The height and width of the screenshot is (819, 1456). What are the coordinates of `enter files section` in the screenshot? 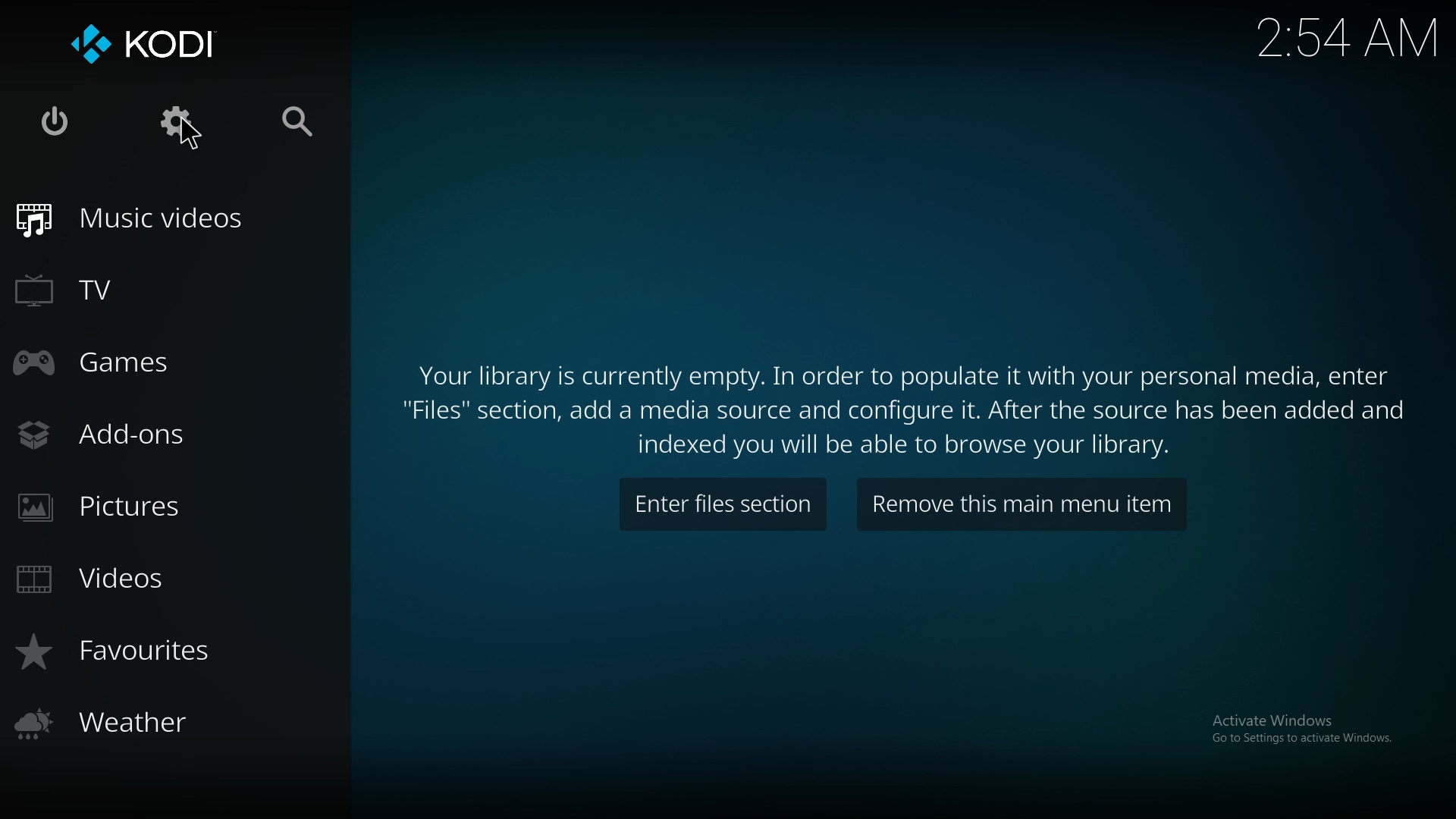 It's located at (726, 503).